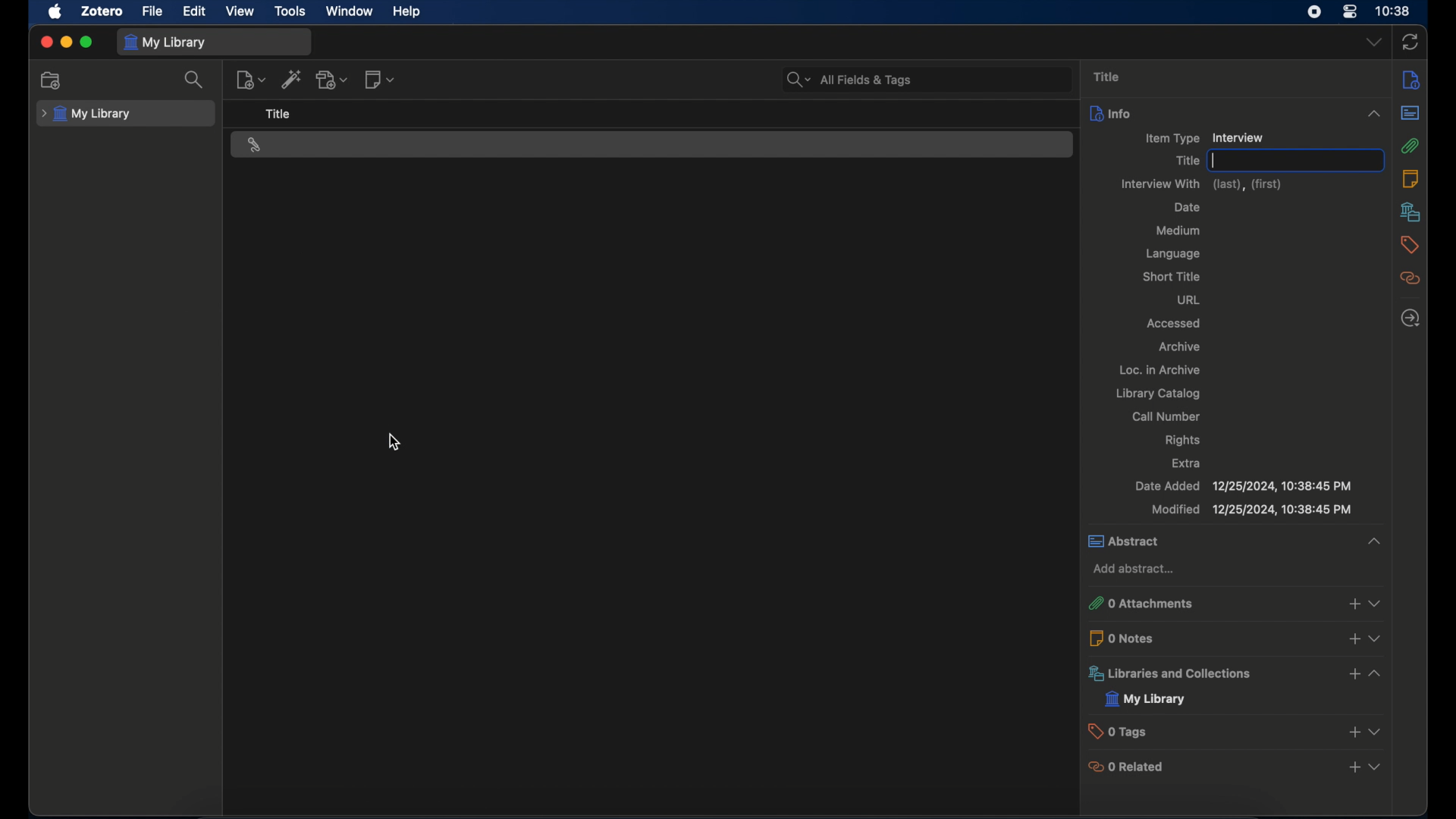  I want to click on 0 related, so click(1132, 766).